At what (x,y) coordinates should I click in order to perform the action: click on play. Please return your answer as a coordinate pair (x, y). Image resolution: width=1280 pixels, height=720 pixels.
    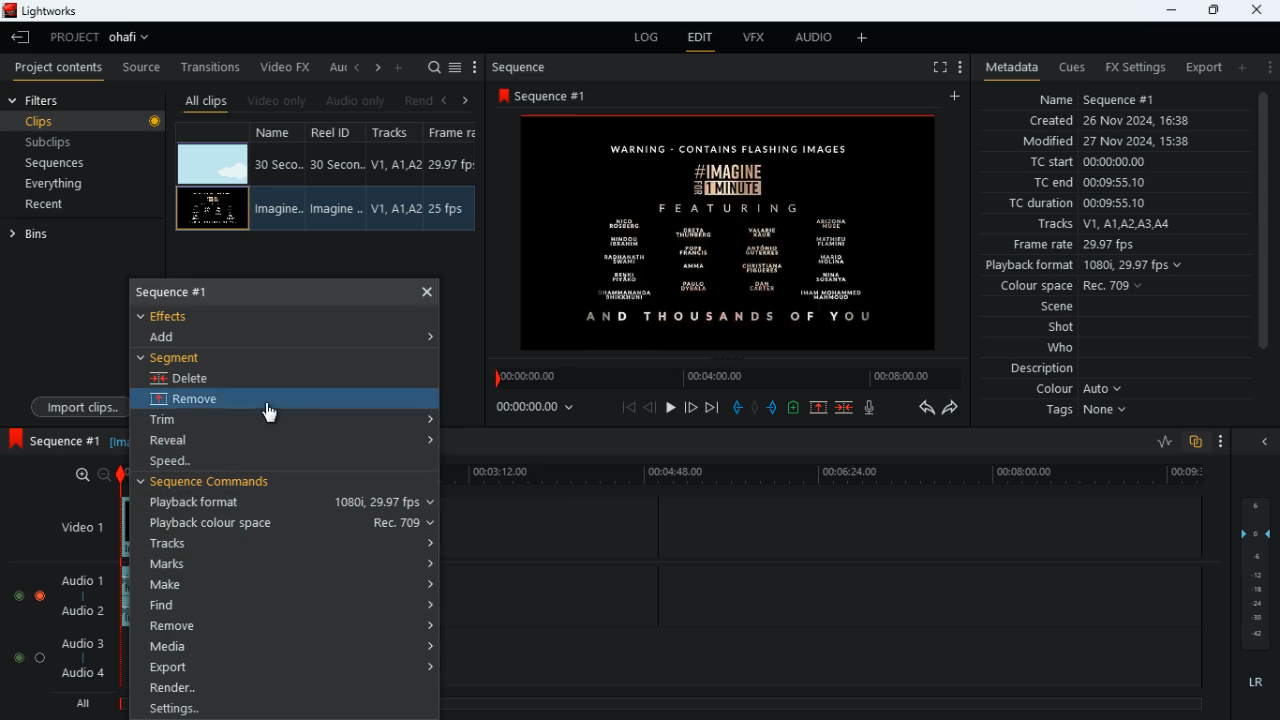
    Looking at the image, I should click on (669, 408).